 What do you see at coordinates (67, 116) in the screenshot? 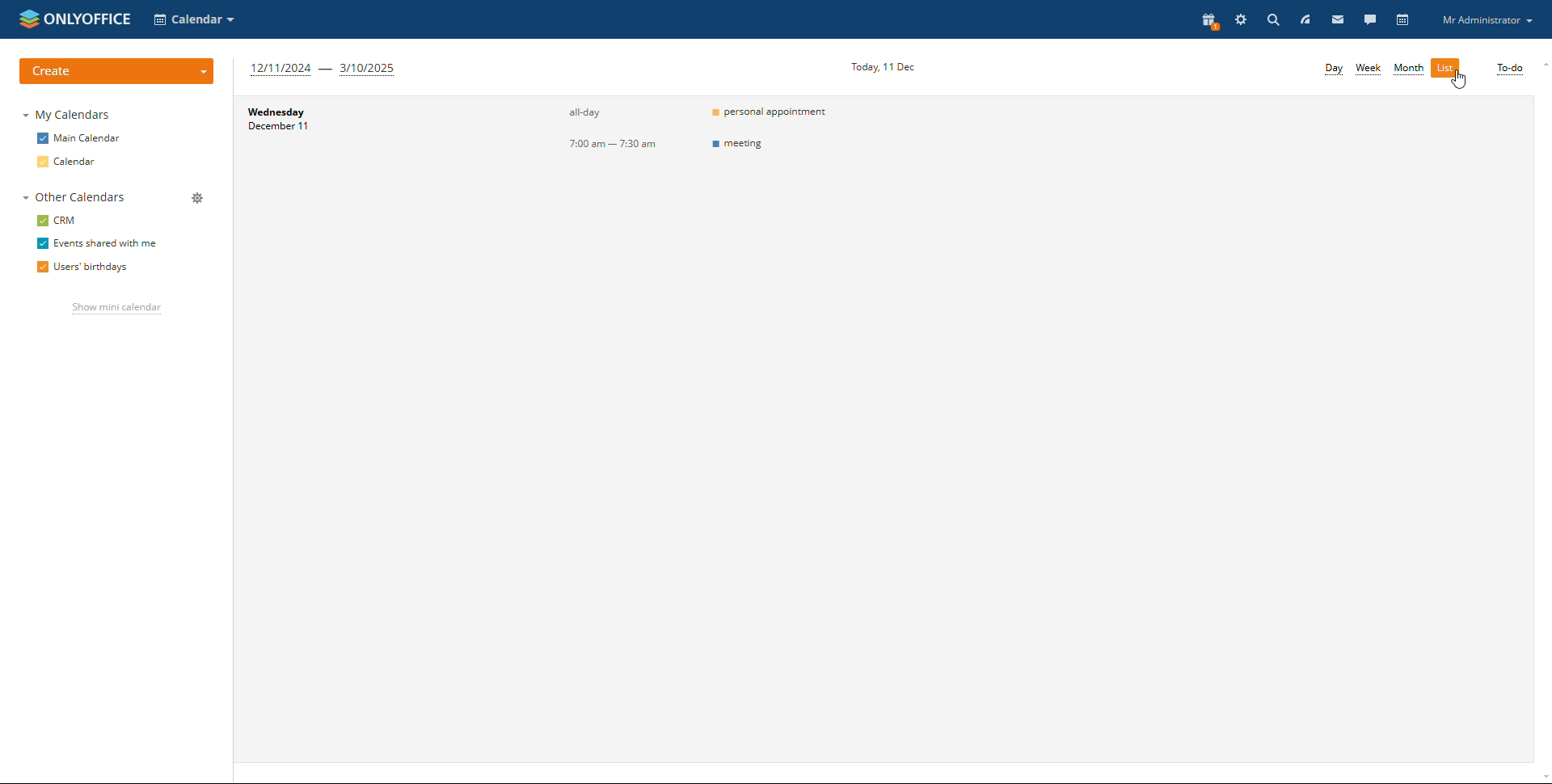
I see `my calendars` at bounding box center [67, 116].